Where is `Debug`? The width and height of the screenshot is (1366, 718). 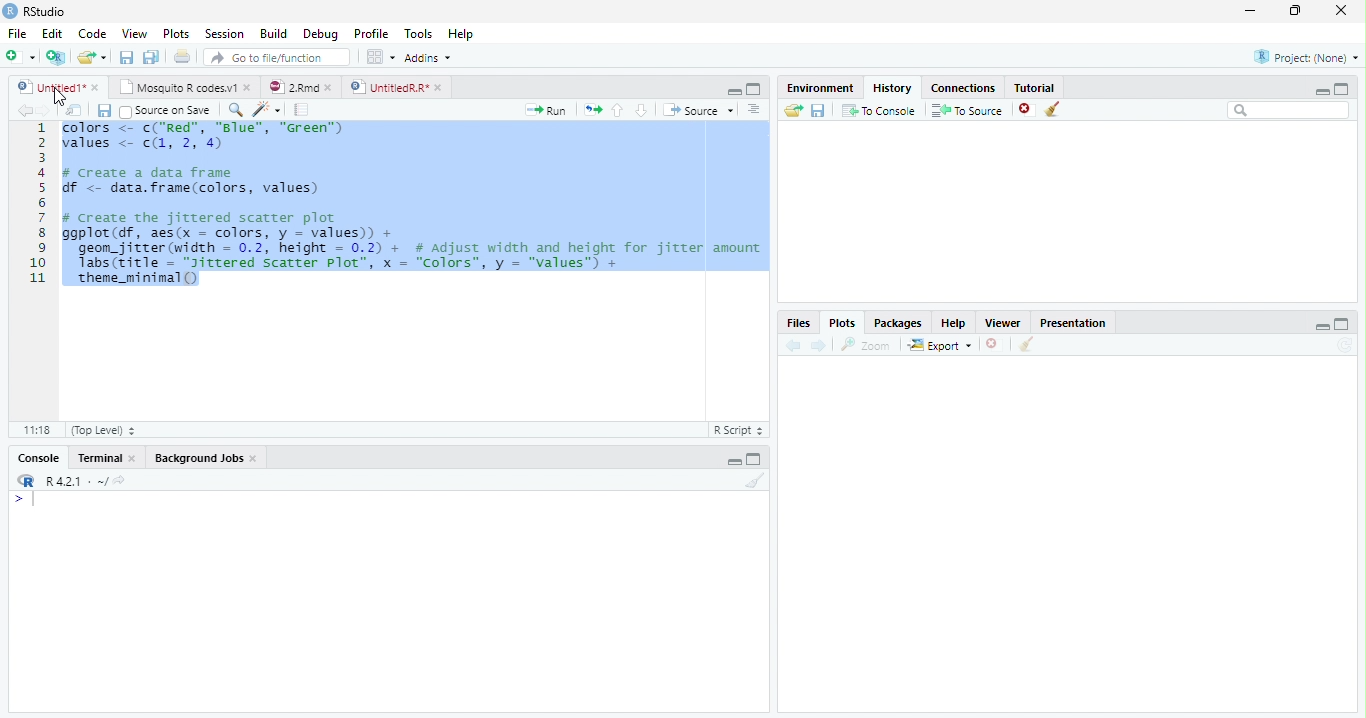 Debug is located at coordinates (320, 34).